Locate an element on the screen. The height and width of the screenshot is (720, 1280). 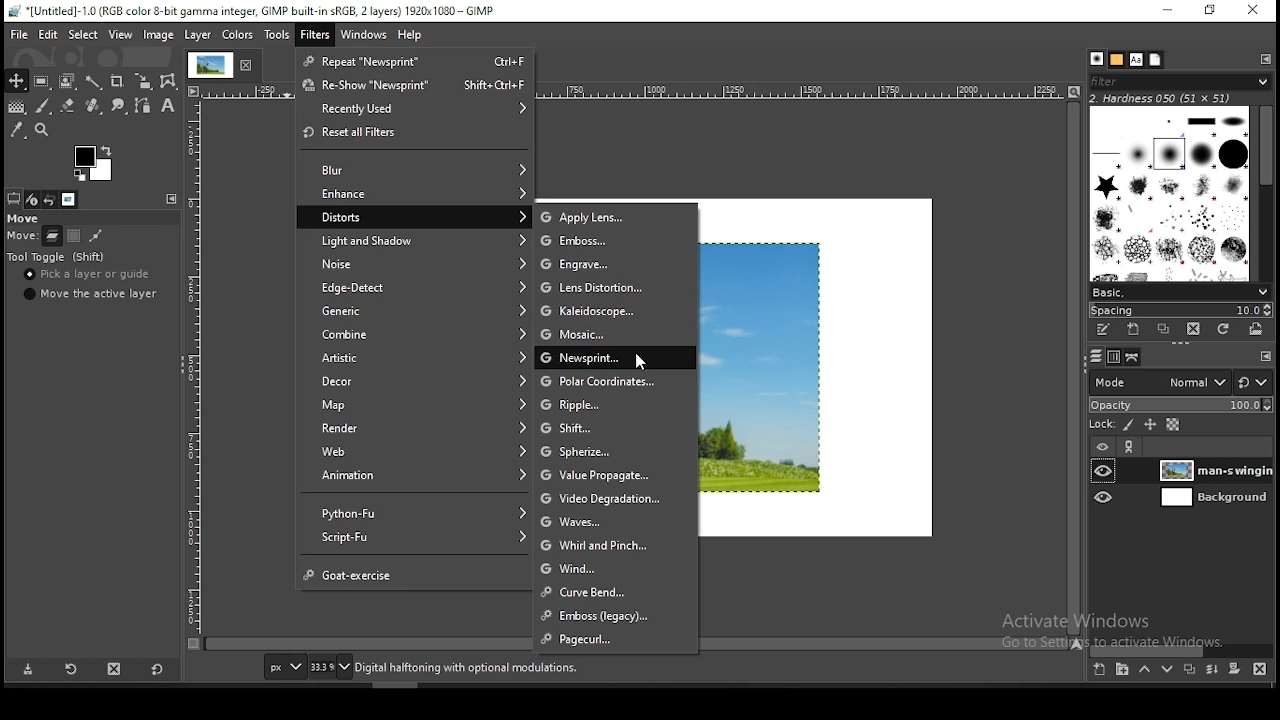
pick a layer or guide is located at coordinates (93, 276).